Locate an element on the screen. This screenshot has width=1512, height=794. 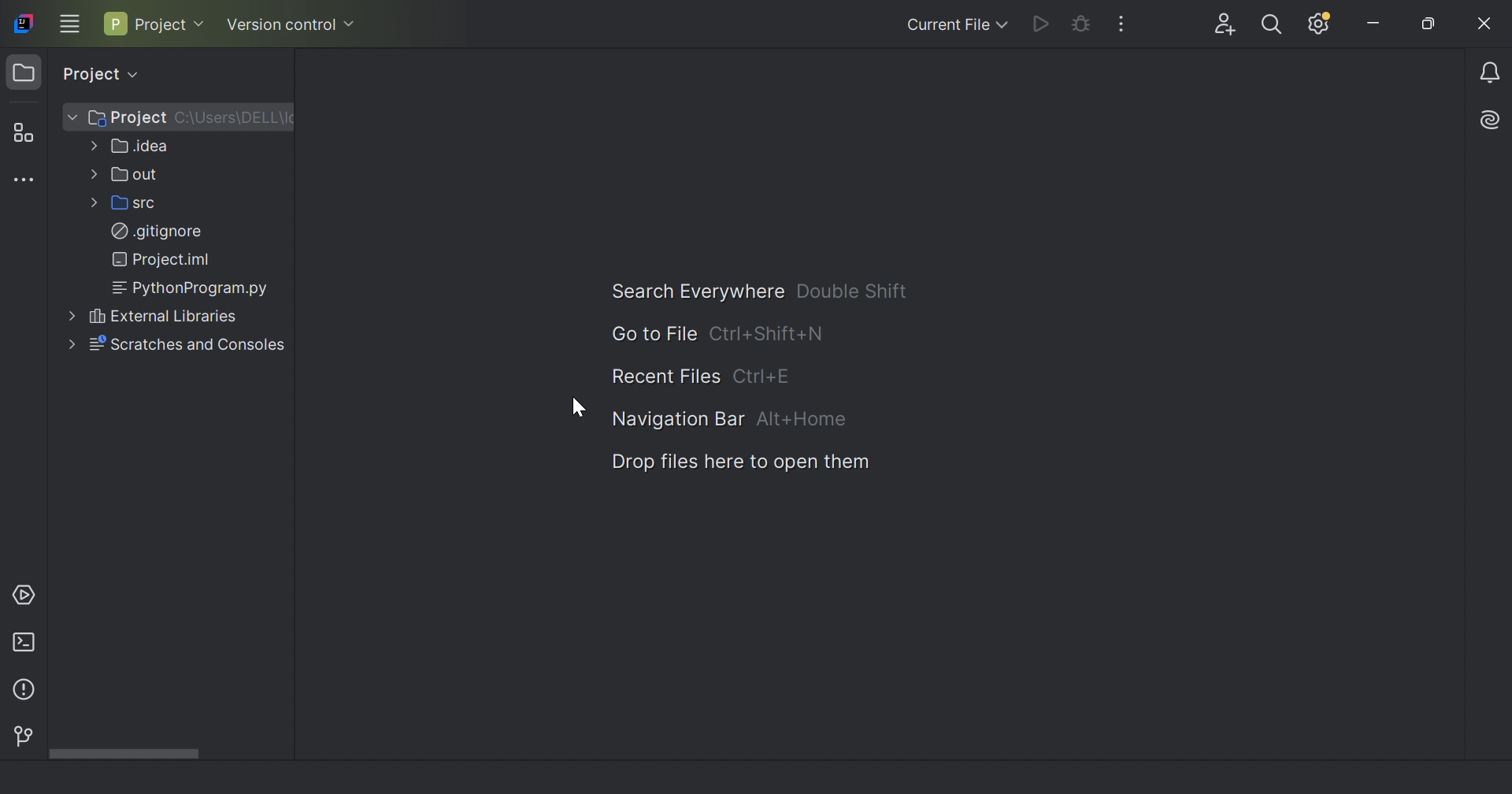
.gitignore is located at coordinates (156, 231).